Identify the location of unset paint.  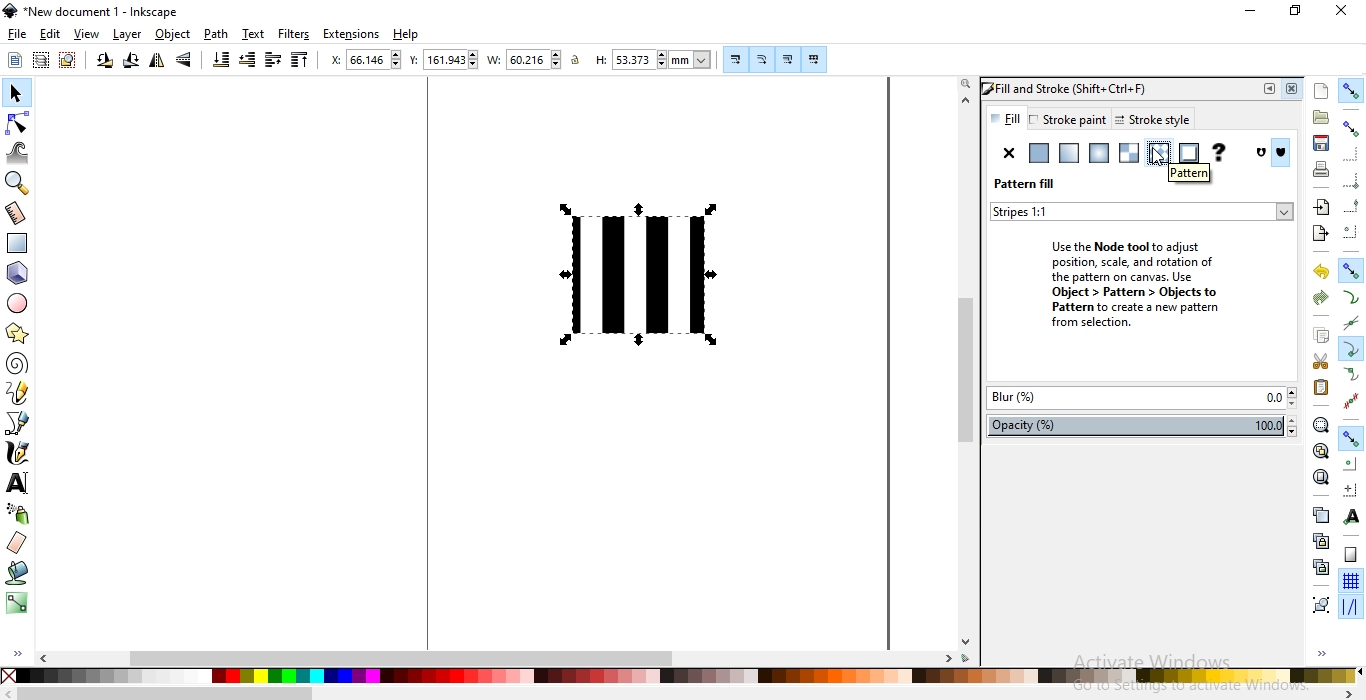
(1218, 153).